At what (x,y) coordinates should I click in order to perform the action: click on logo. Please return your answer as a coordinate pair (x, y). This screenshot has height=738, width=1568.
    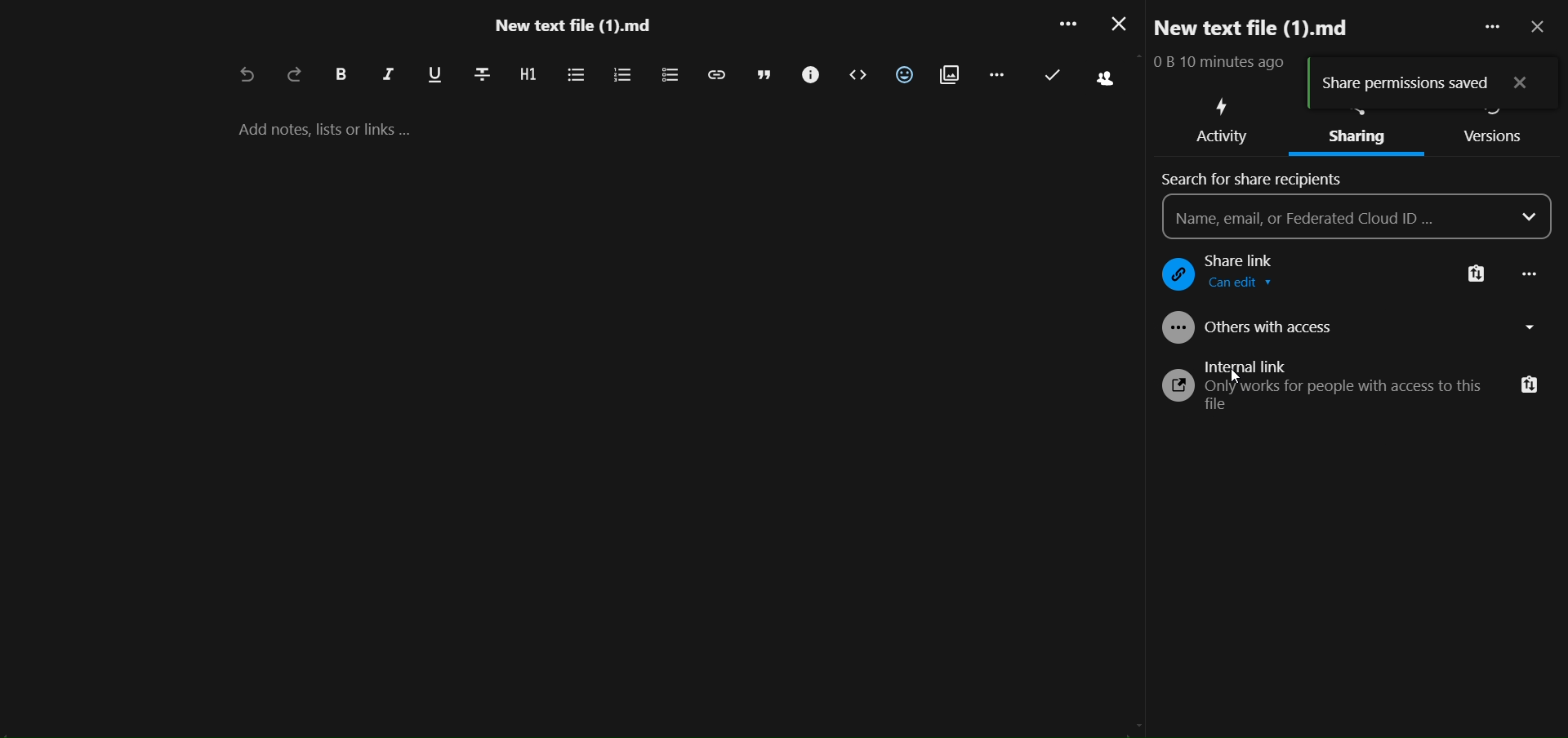
    Looking at the image, I should click on (1174, 328).